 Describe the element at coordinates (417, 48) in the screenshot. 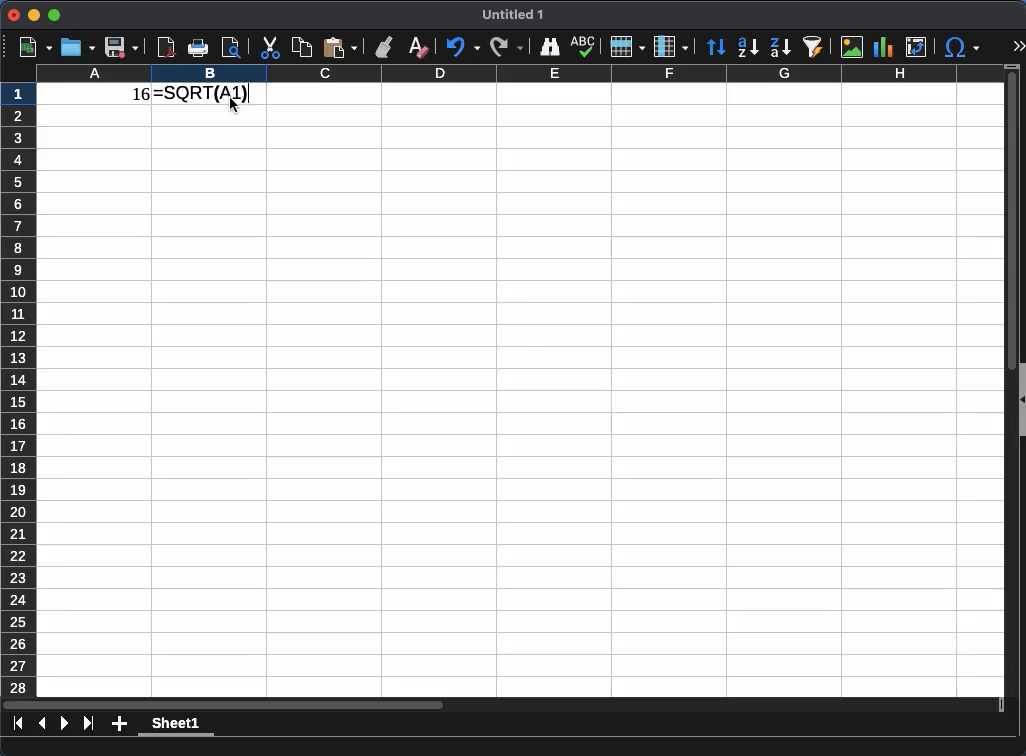

I see `clear formatting` at that location.